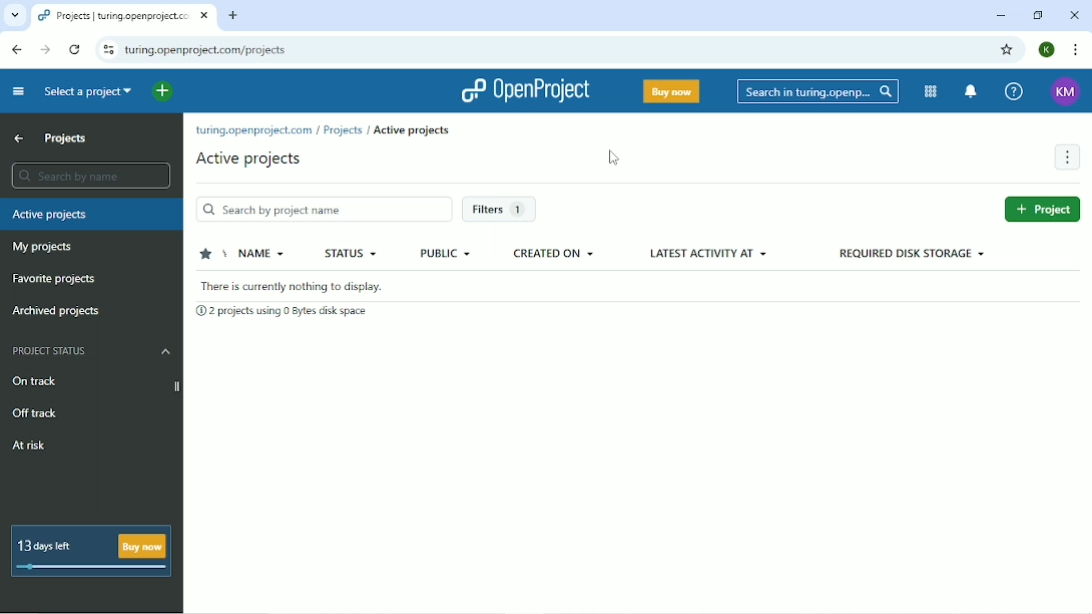 The image size is (1092, 614). I want to click on Active projects, so click(50, 215).